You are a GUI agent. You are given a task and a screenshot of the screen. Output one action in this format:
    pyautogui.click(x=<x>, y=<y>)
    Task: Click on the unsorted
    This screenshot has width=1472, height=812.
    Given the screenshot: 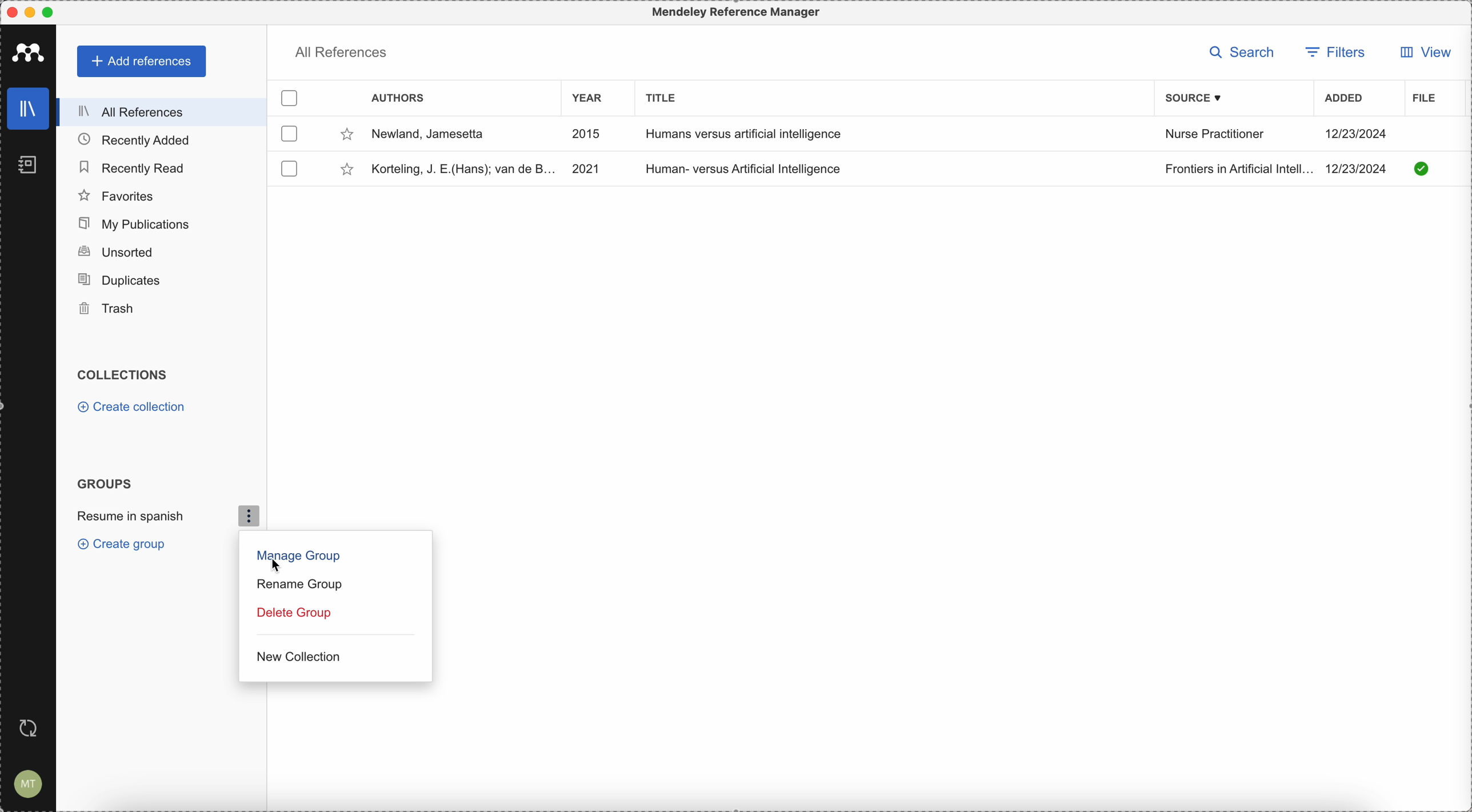 What is the action you would take?
    pyautogui.click(x=116, y=251)
    